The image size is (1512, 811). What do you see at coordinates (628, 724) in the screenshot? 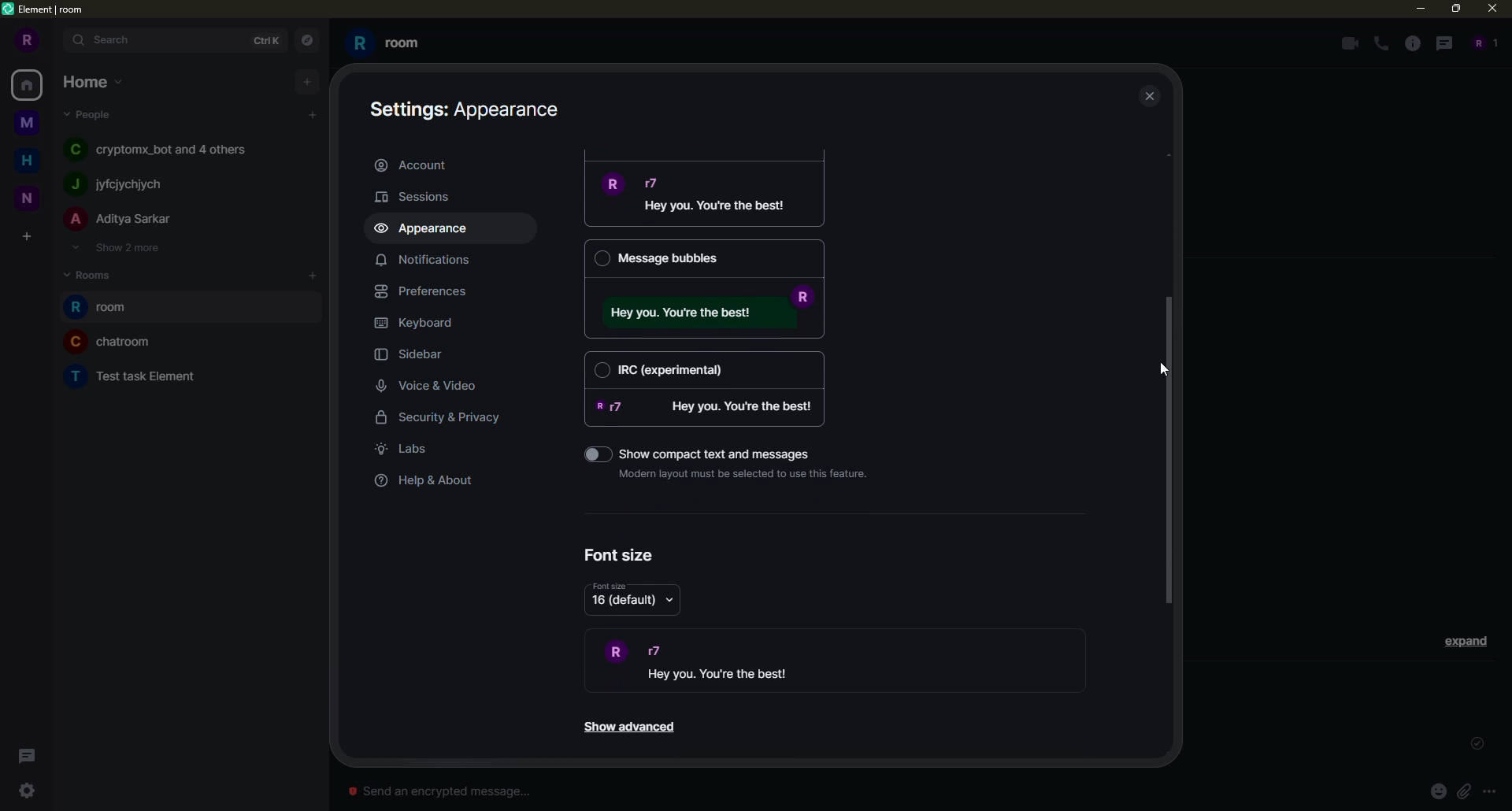
I see `show advanced` at bounding box center [628, 724].